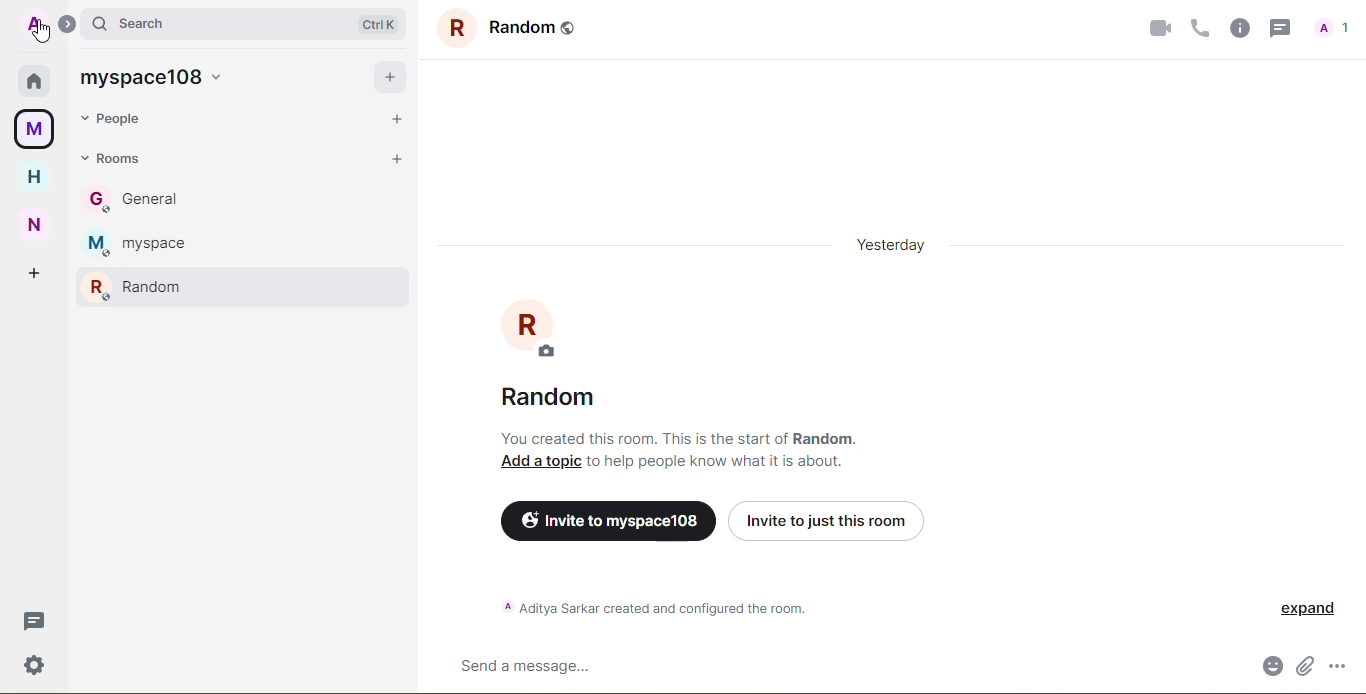 The height and width of the screenshot is (694, 1366). Describe the element at coordinates (137, 23) in the screenshot. I see `search` at that location.